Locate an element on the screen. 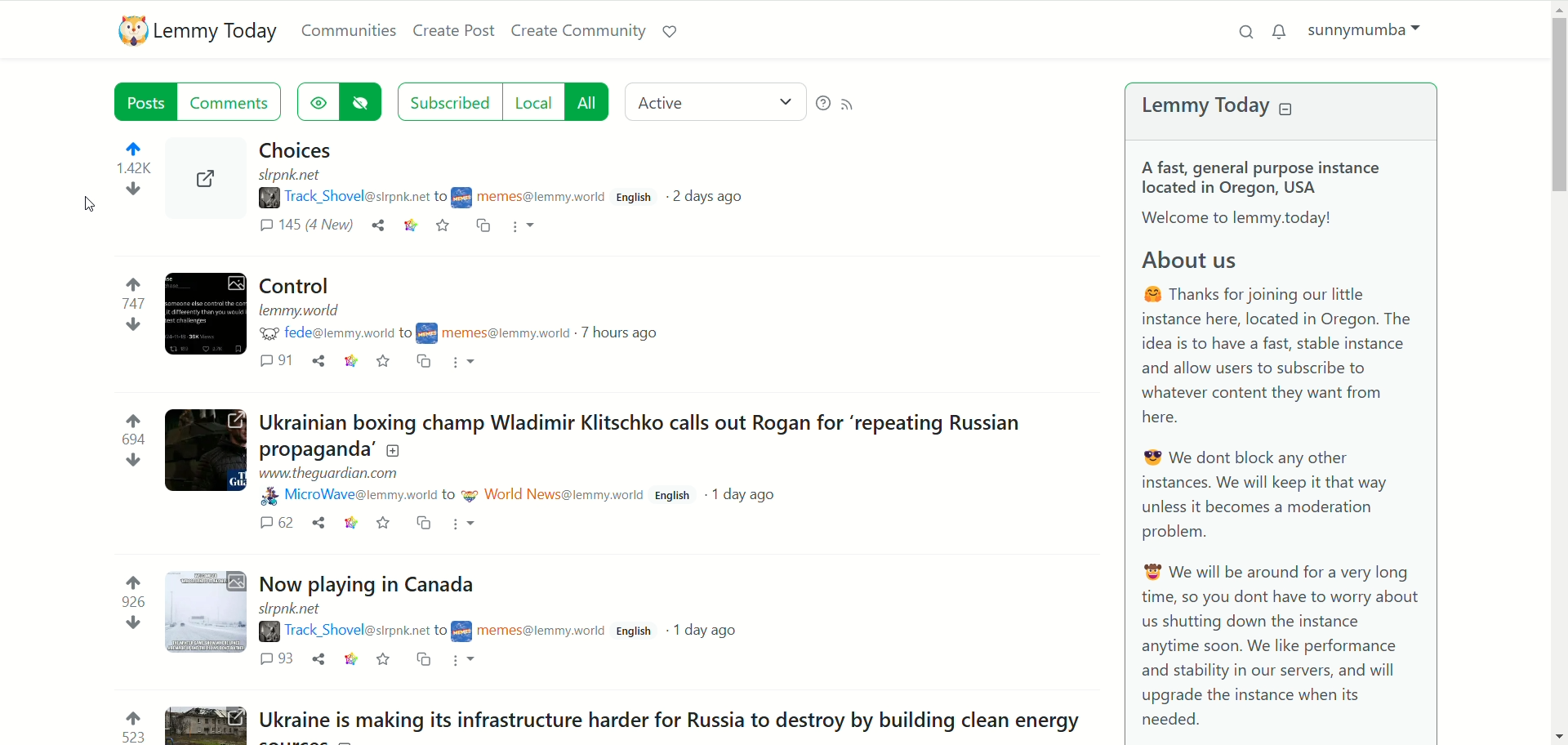 Image resolution: width=1568 pixels, height=745 pixels. save is located at coordinates (385, 361).